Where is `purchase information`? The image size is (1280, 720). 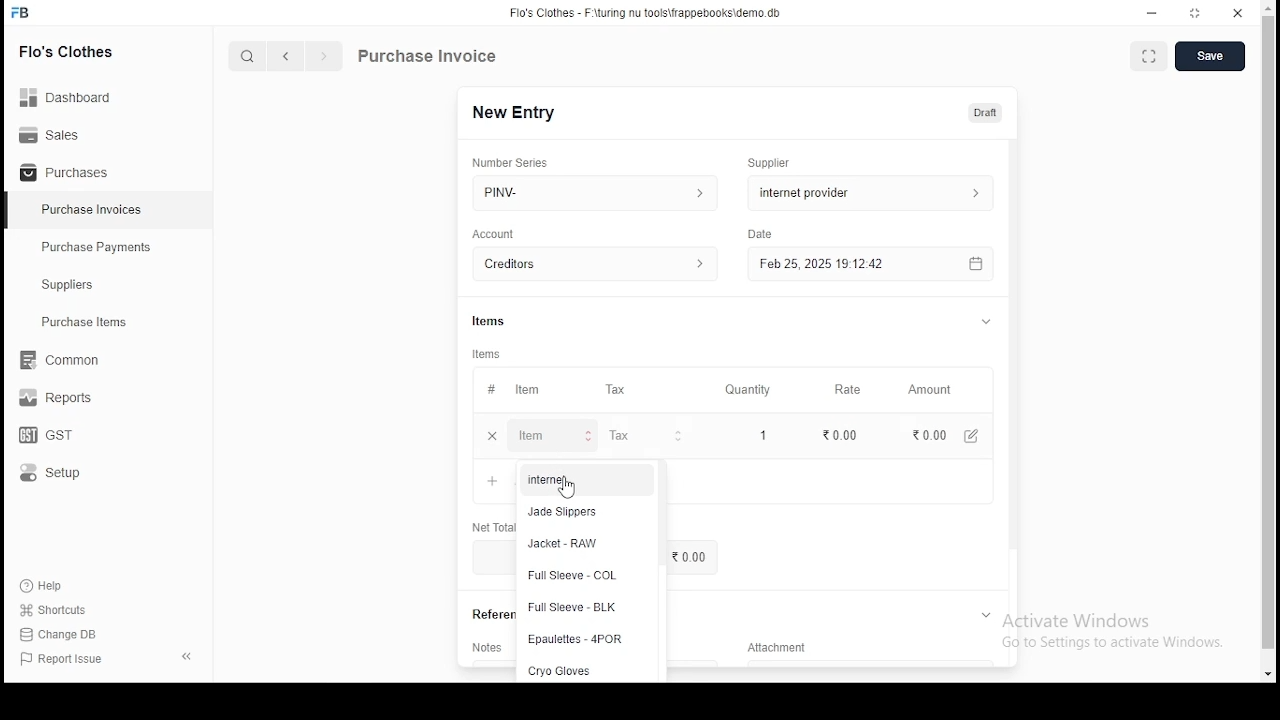
purchase information is located at coordinates (428, 57).